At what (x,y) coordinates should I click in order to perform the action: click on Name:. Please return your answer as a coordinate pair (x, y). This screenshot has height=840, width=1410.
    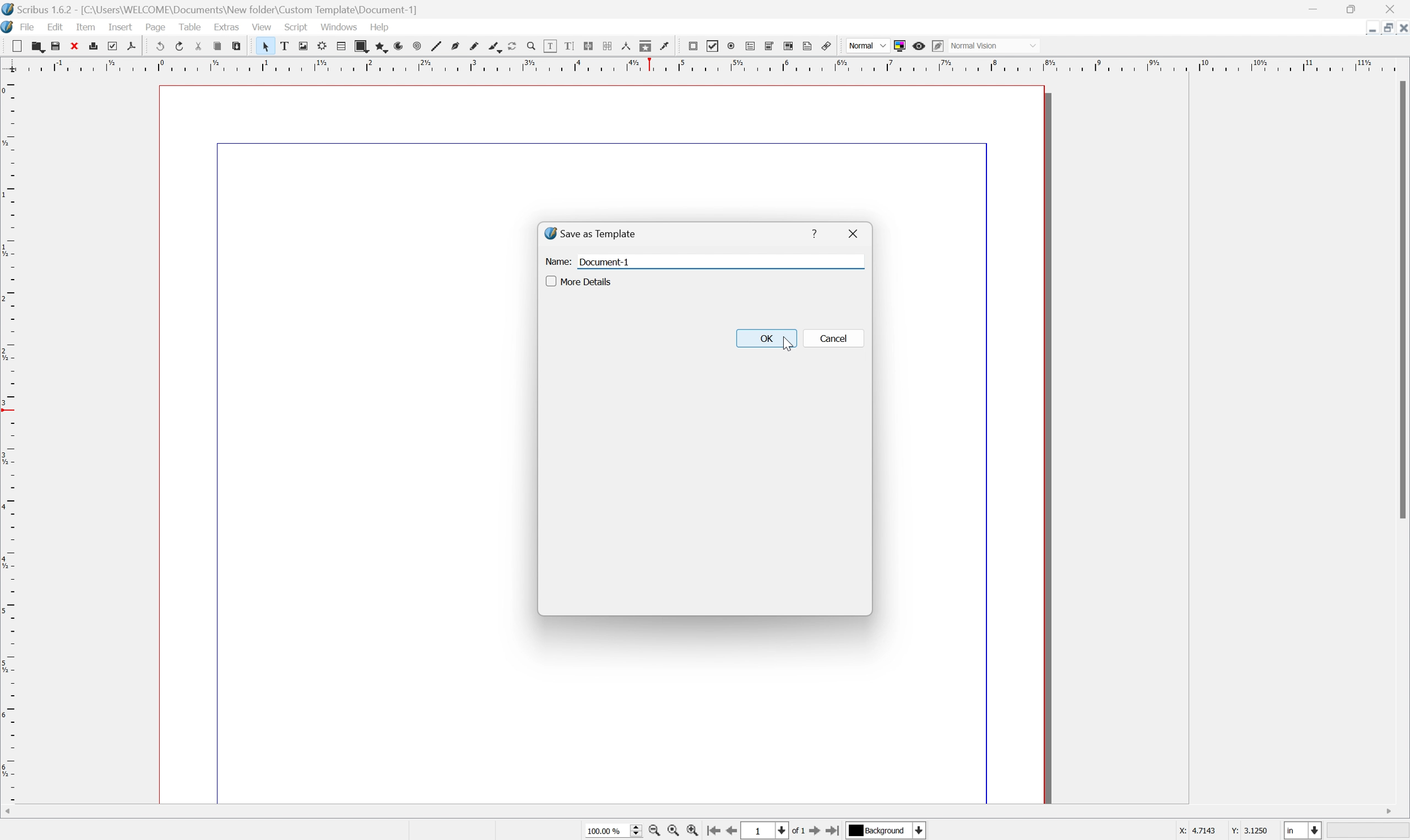
    Looking at the image, I should click on (557, 262).